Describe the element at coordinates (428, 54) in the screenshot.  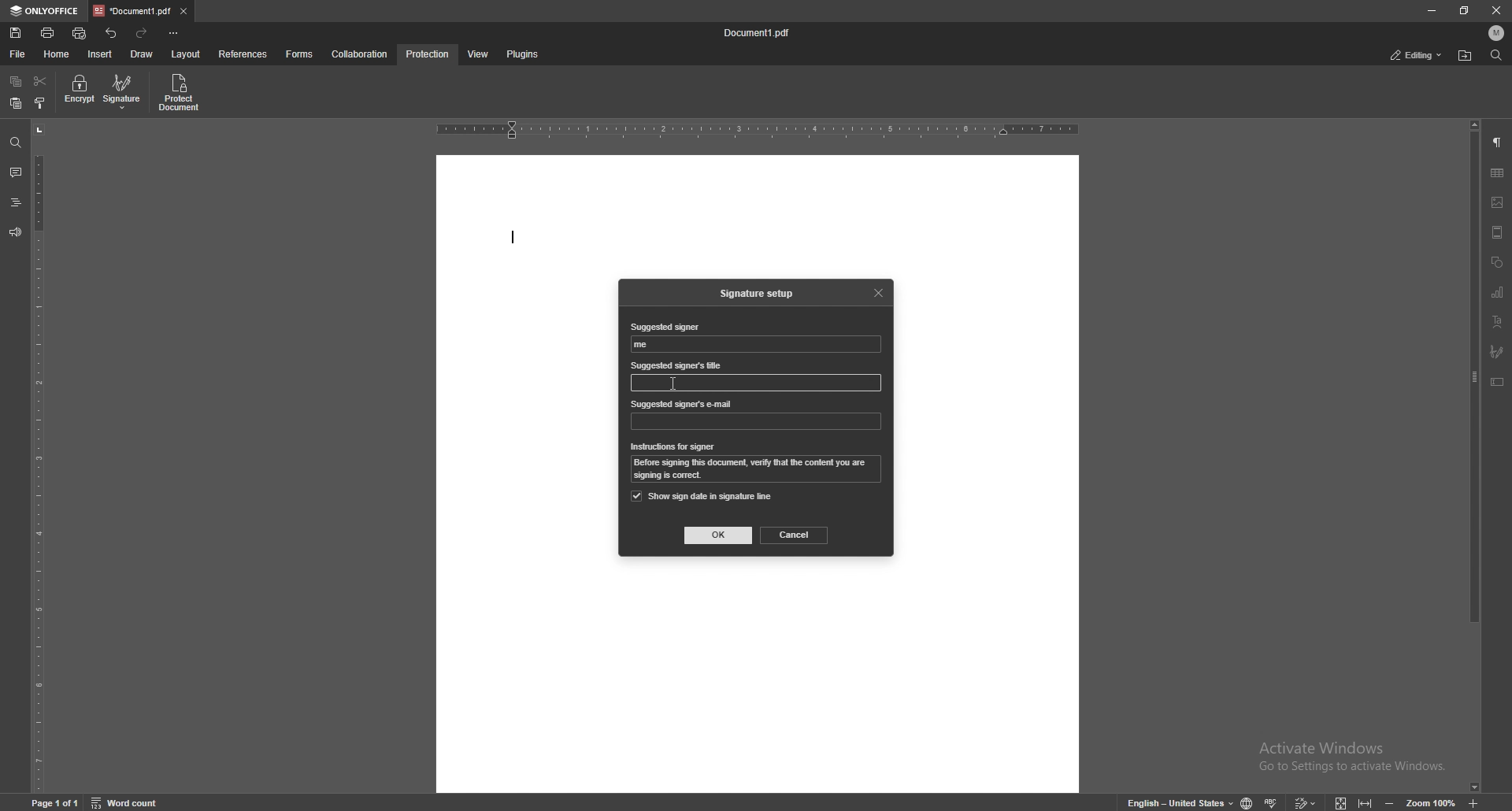
I see `protection` at that location.